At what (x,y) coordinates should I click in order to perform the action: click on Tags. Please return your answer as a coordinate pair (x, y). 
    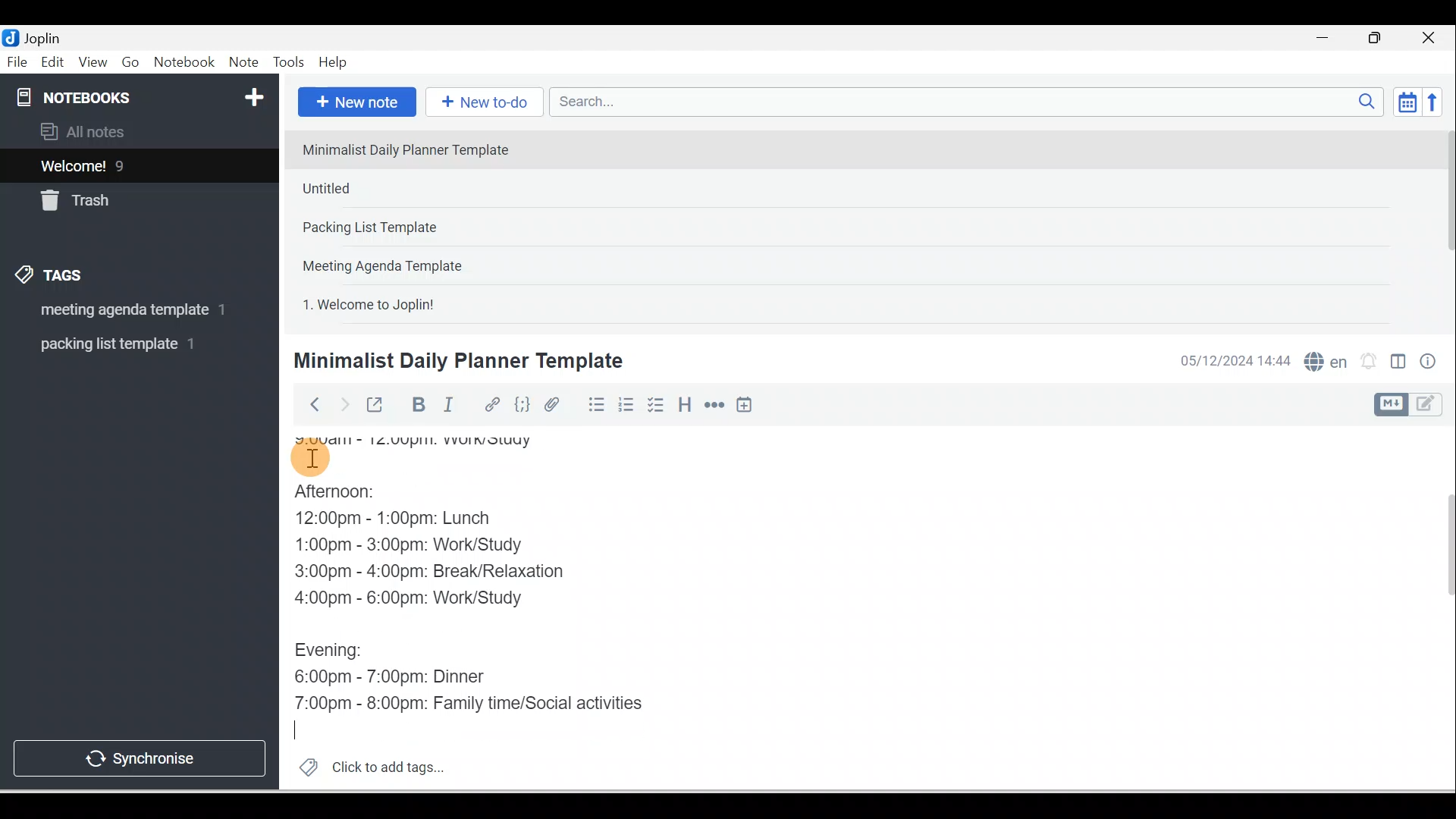
    Looking at the image, I should click on (54, 278).